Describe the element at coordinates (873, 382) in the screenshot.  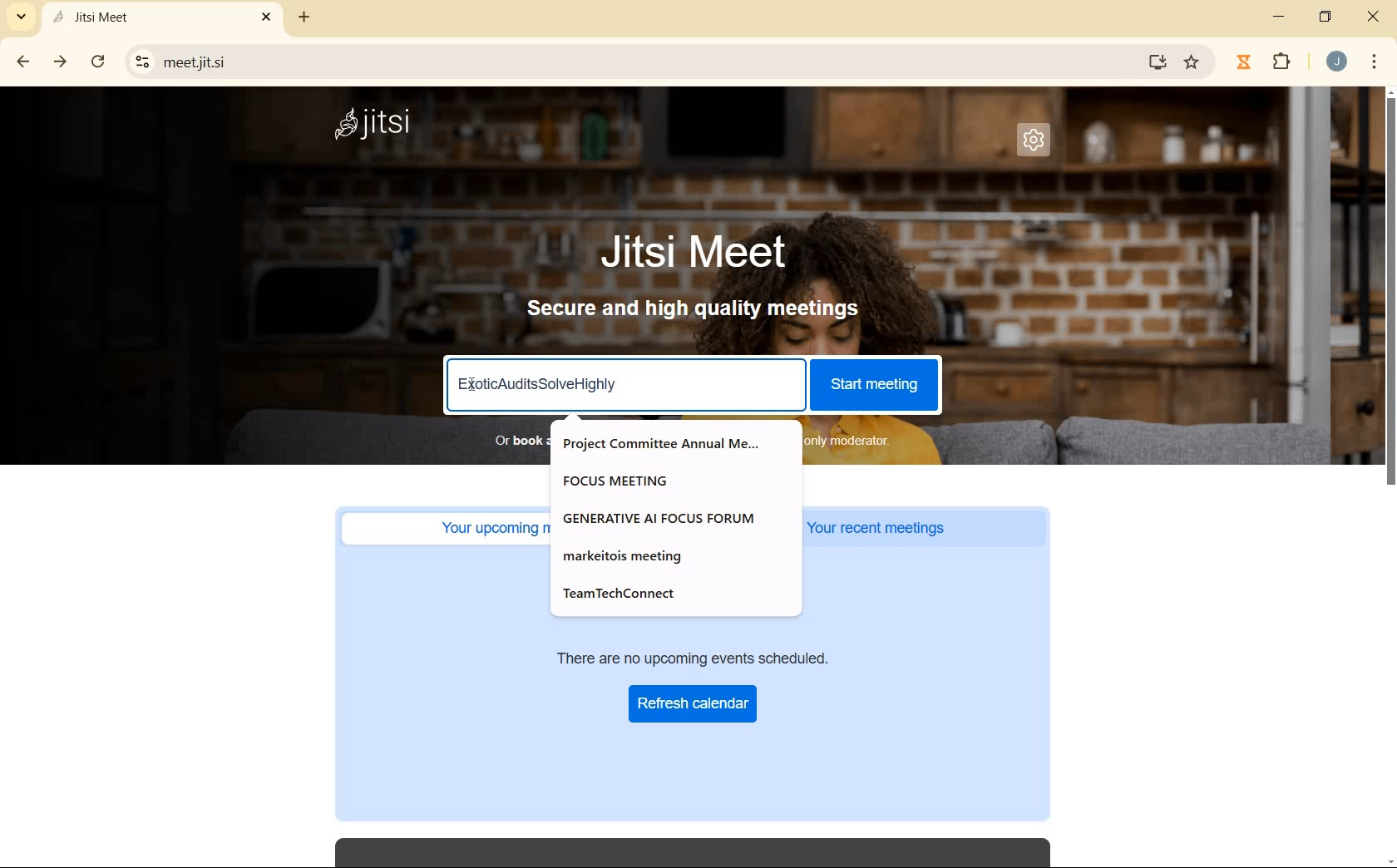
I see `start meeting` at that location.